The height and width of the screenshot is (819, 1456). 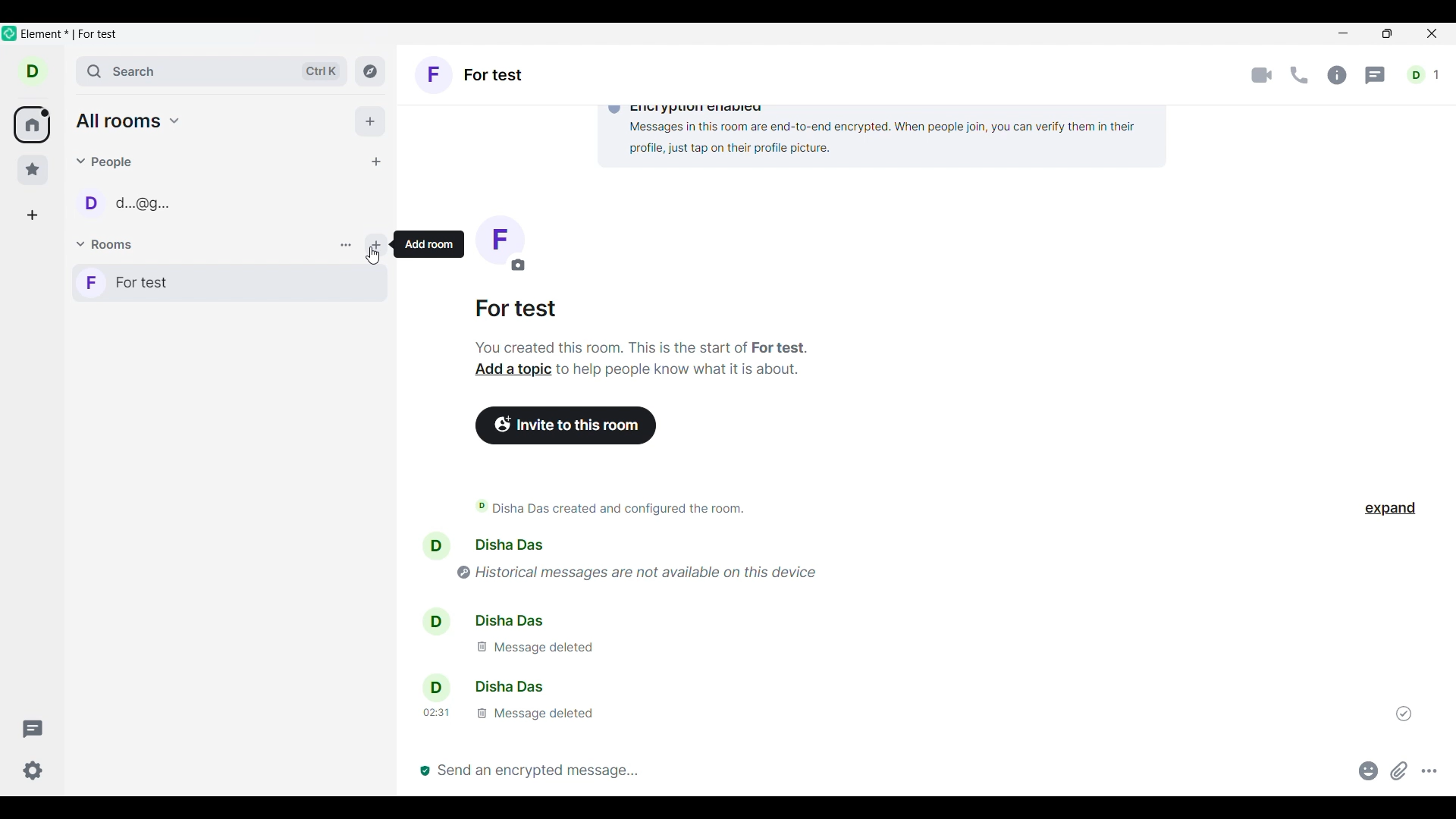 What do you see at coordinates (130, 202) in the screenshot?
I see `Account under people` at bounding box center [130, 202].